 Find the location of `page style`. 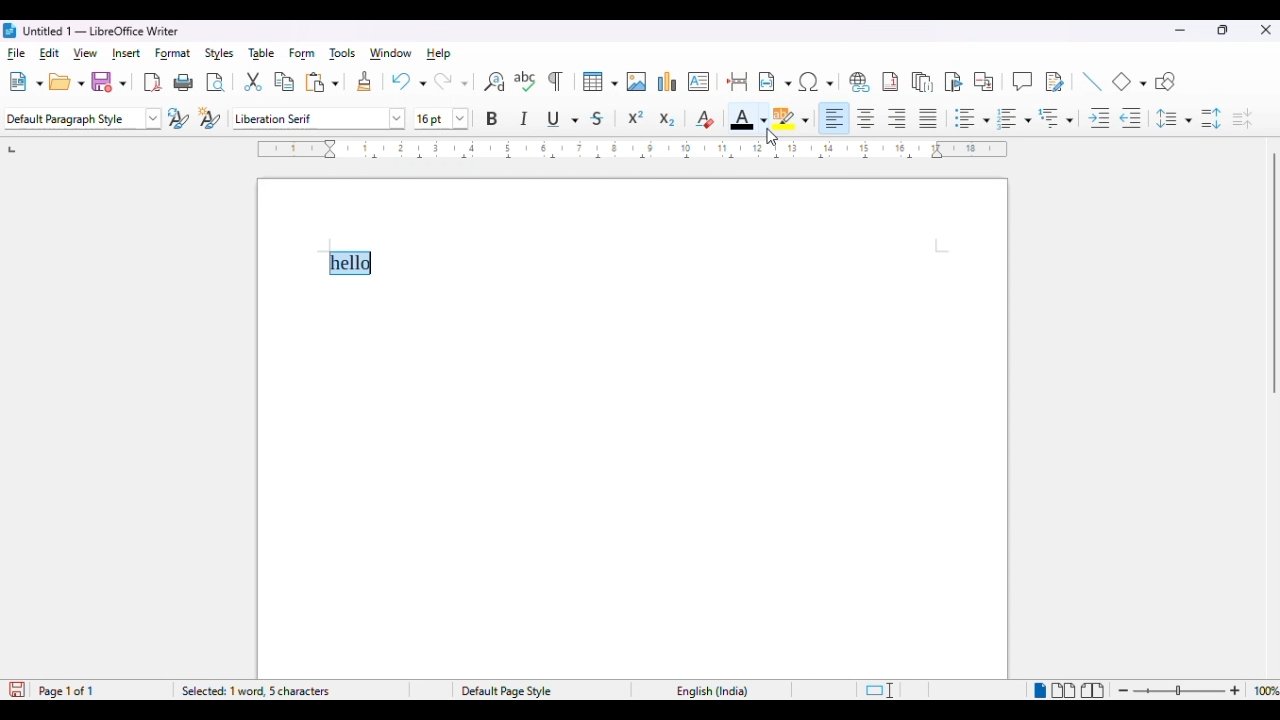

page style is located at coordinates (507, 691).